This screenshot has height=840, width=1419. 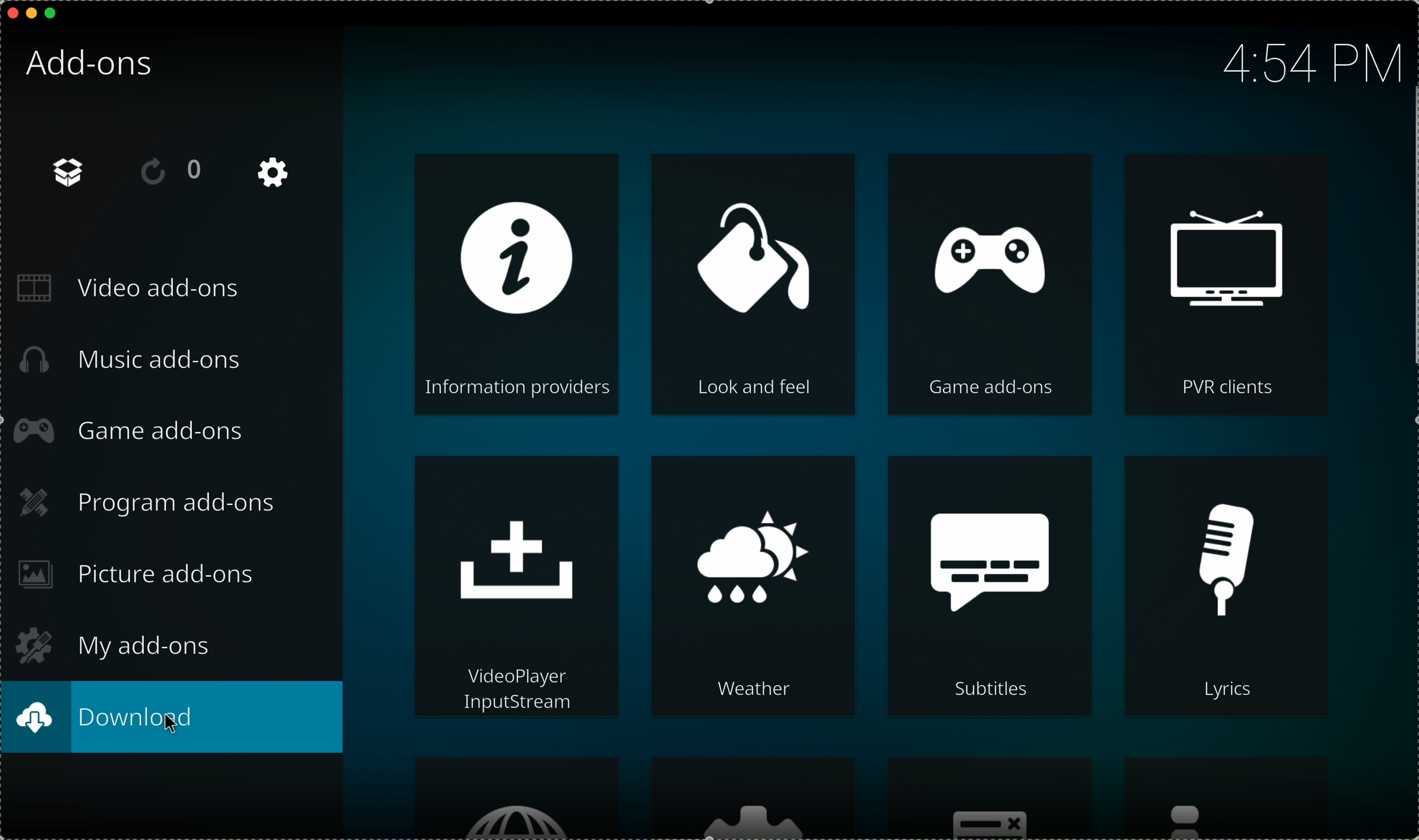 I want to click on information providers, so click(x=519, y=285).